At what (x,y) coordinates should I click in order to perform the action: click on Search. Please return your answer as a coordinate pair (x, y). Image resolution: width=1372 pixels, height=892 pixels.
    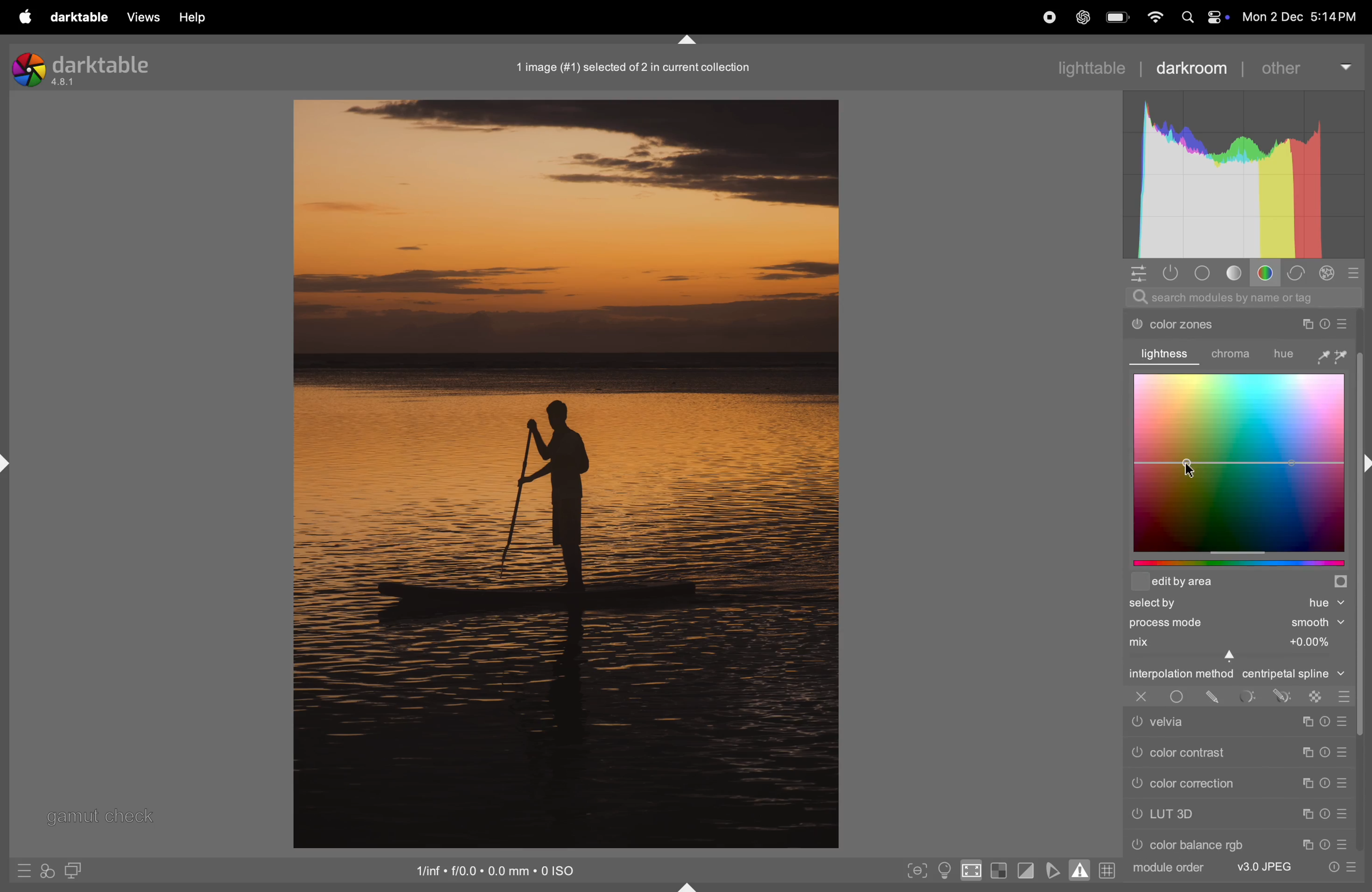
    Looking at the image, I should click on (1188, 18).